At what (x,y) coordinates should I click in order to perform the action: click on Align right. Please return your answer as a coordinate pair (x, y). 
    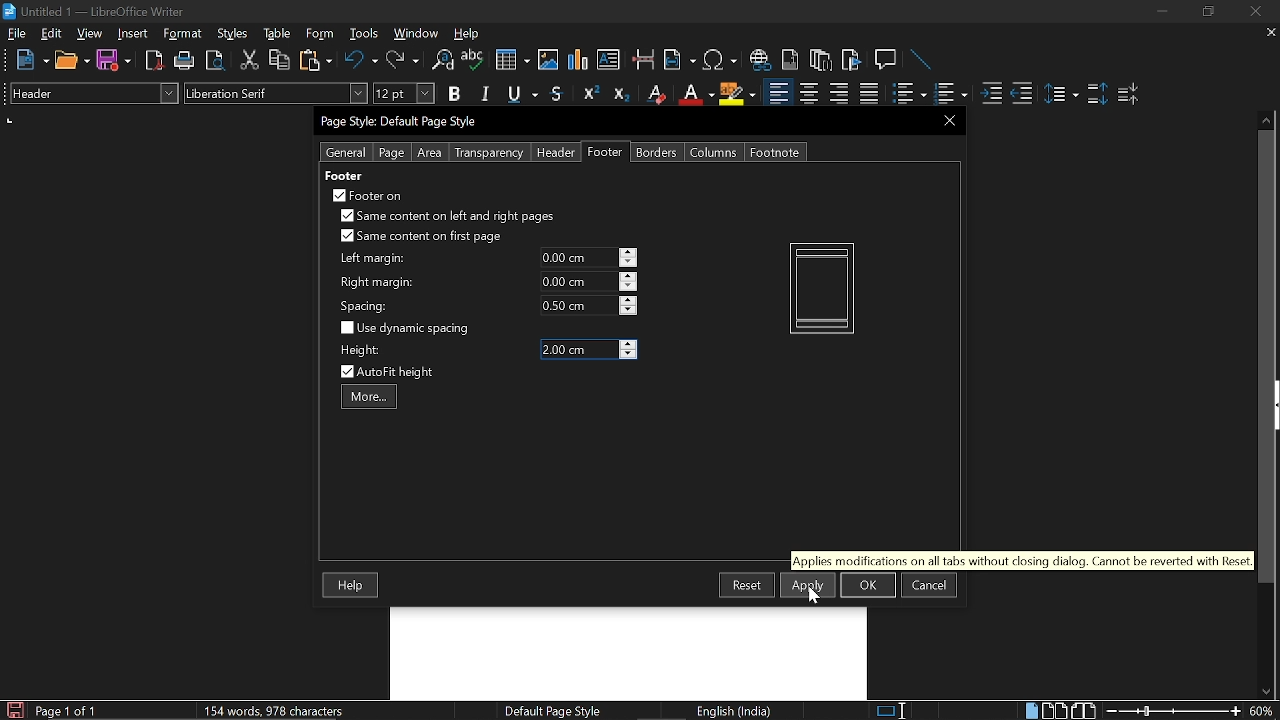
    Looking at the image, I should click on (841, 93).